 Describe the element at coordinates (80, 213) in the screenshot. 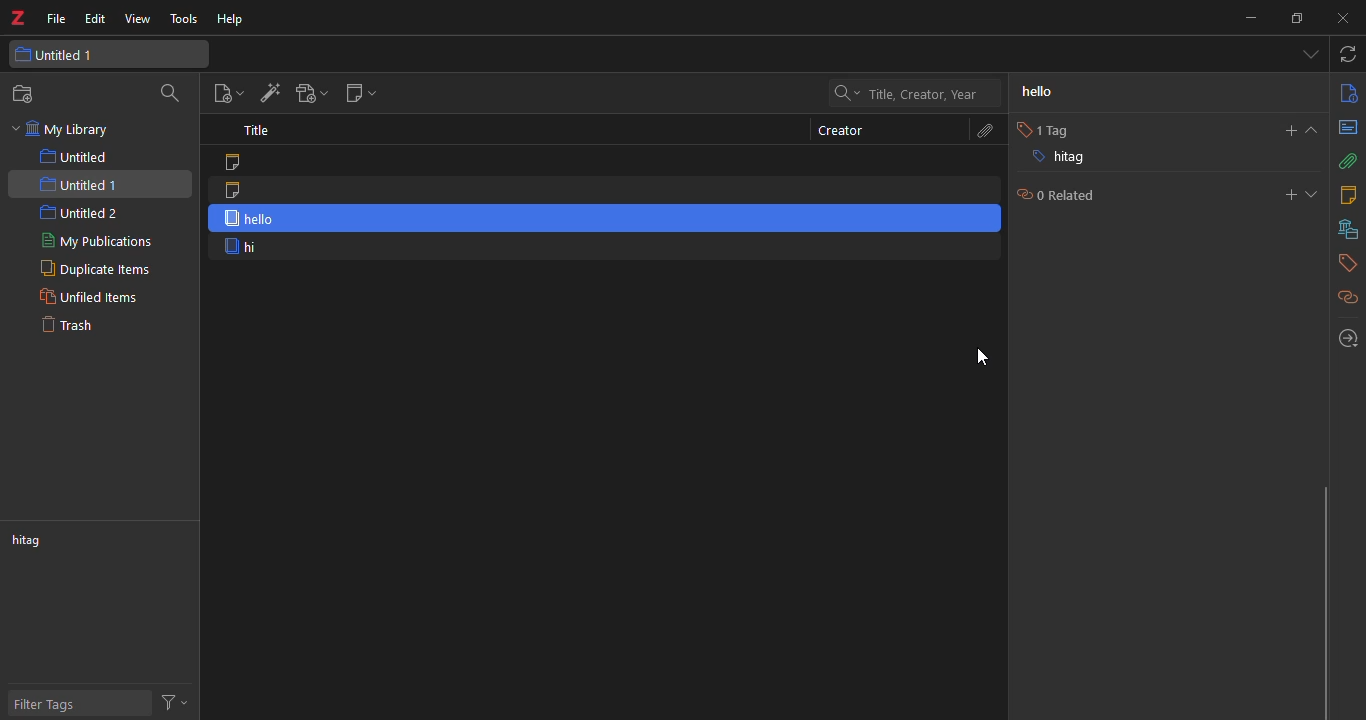

I see `untitled 2` at that location.